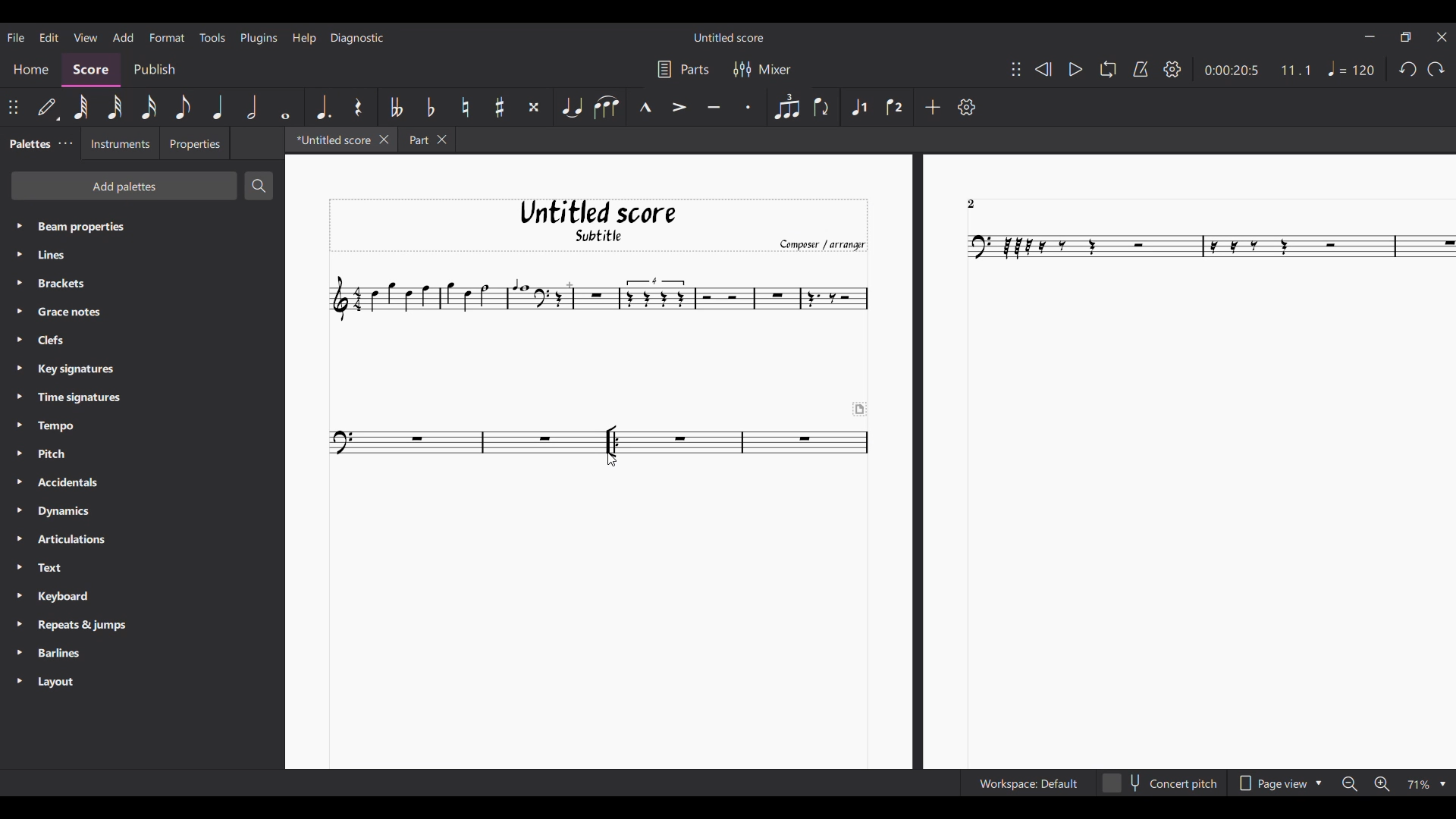 This screenshot has height=819, width=1456. What do you see at coordinates (305, 39) in the screenshot?
I see `Help menu` at bounding box center [305, 39].